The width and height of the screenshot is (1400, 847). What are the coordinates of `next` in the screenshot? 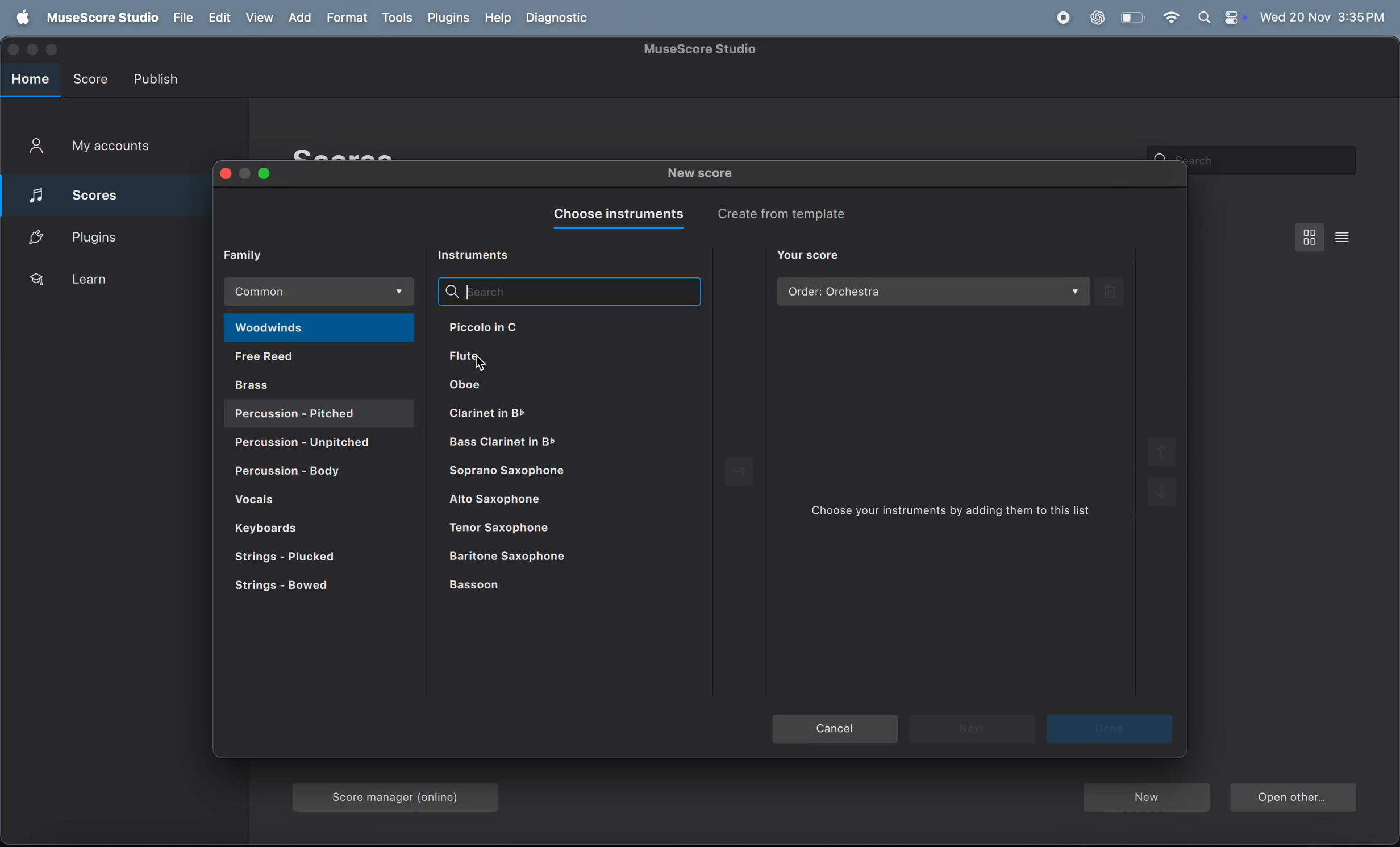 It's located at (972, 728).